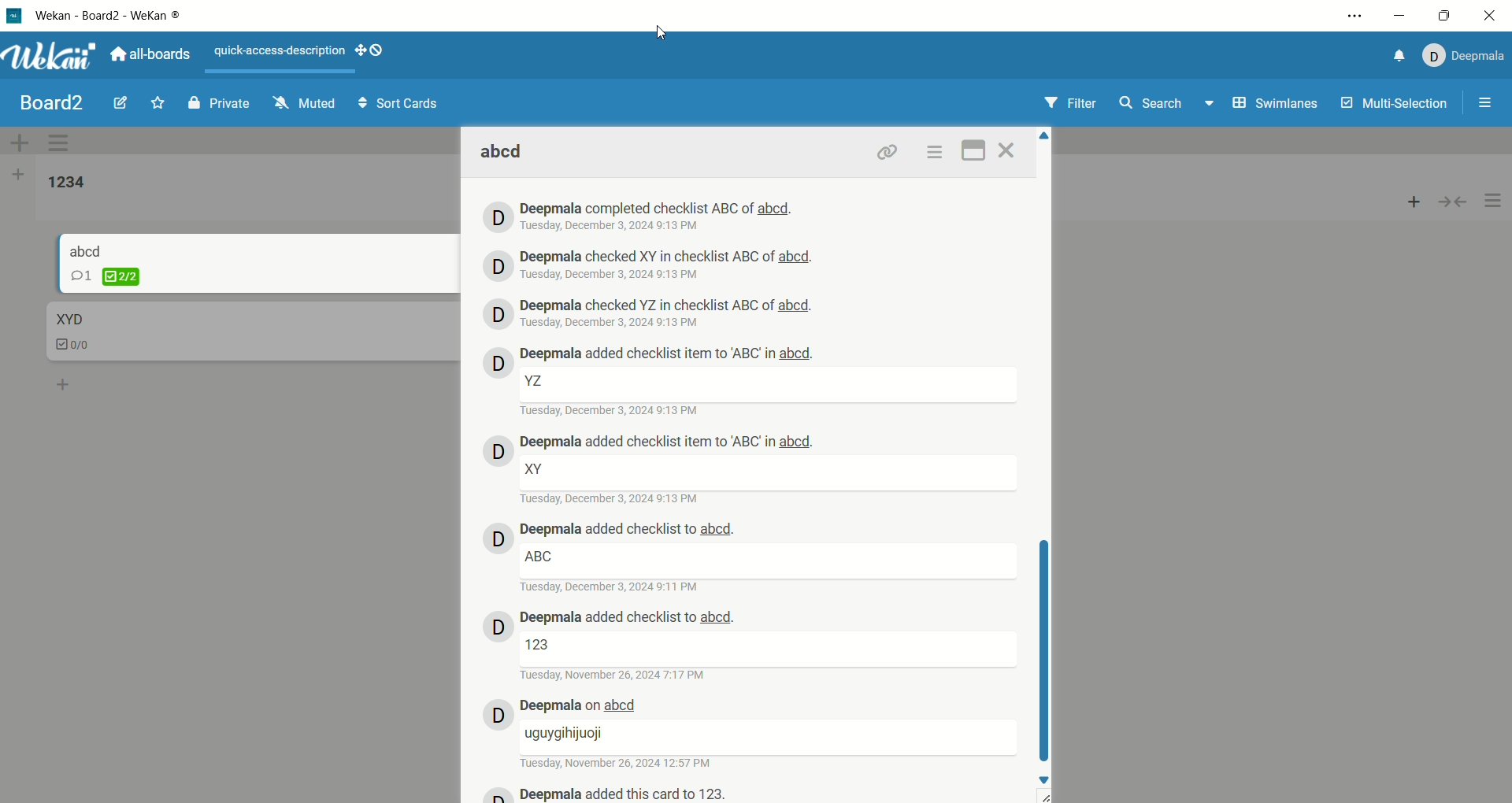  Describe the element at coordinates (566, 735) in the screenshot. I see `text` at that location.